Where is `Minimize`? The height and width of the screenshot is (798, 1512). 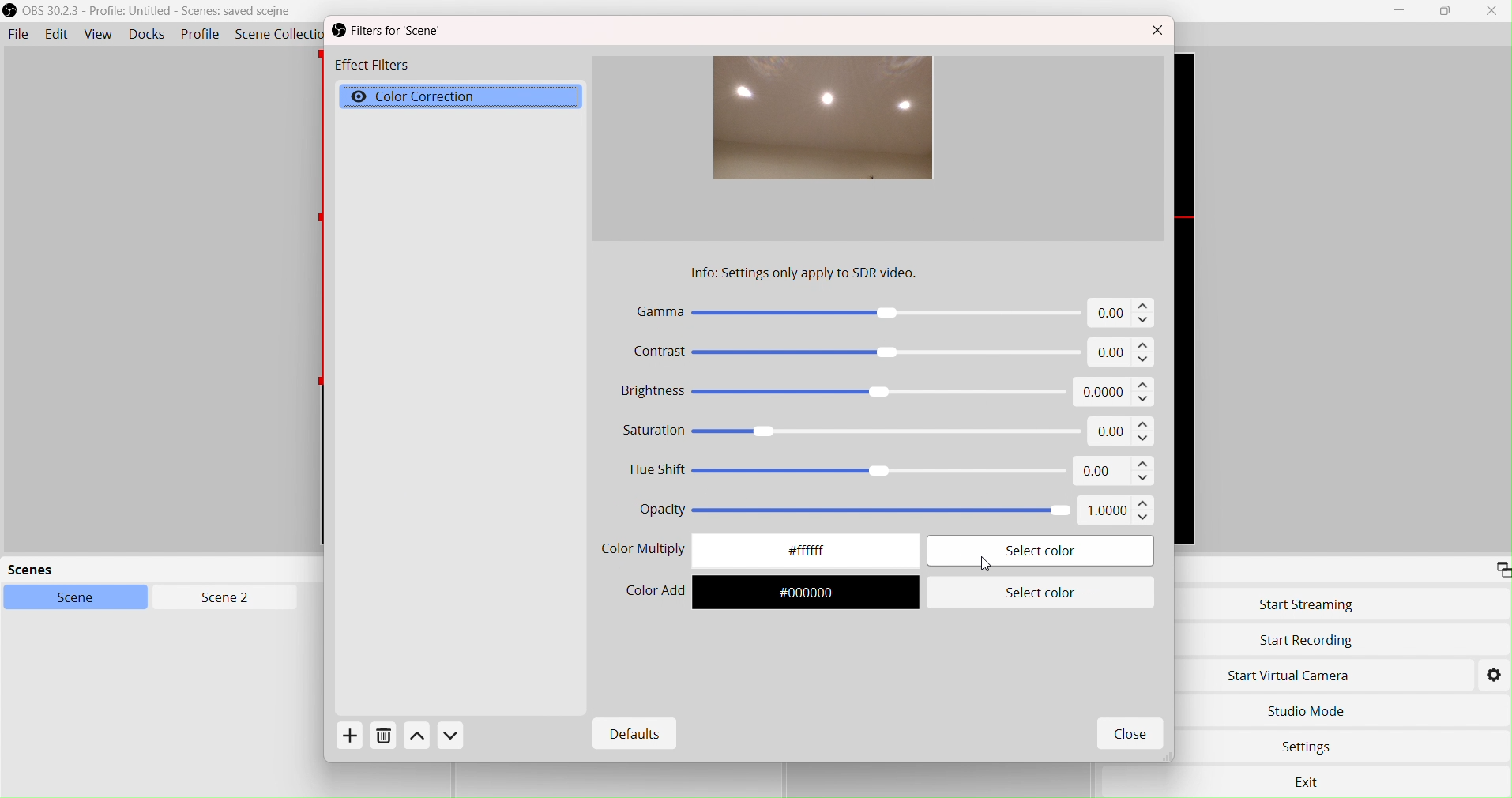 Minimize is located at coordinates (1400, 10).